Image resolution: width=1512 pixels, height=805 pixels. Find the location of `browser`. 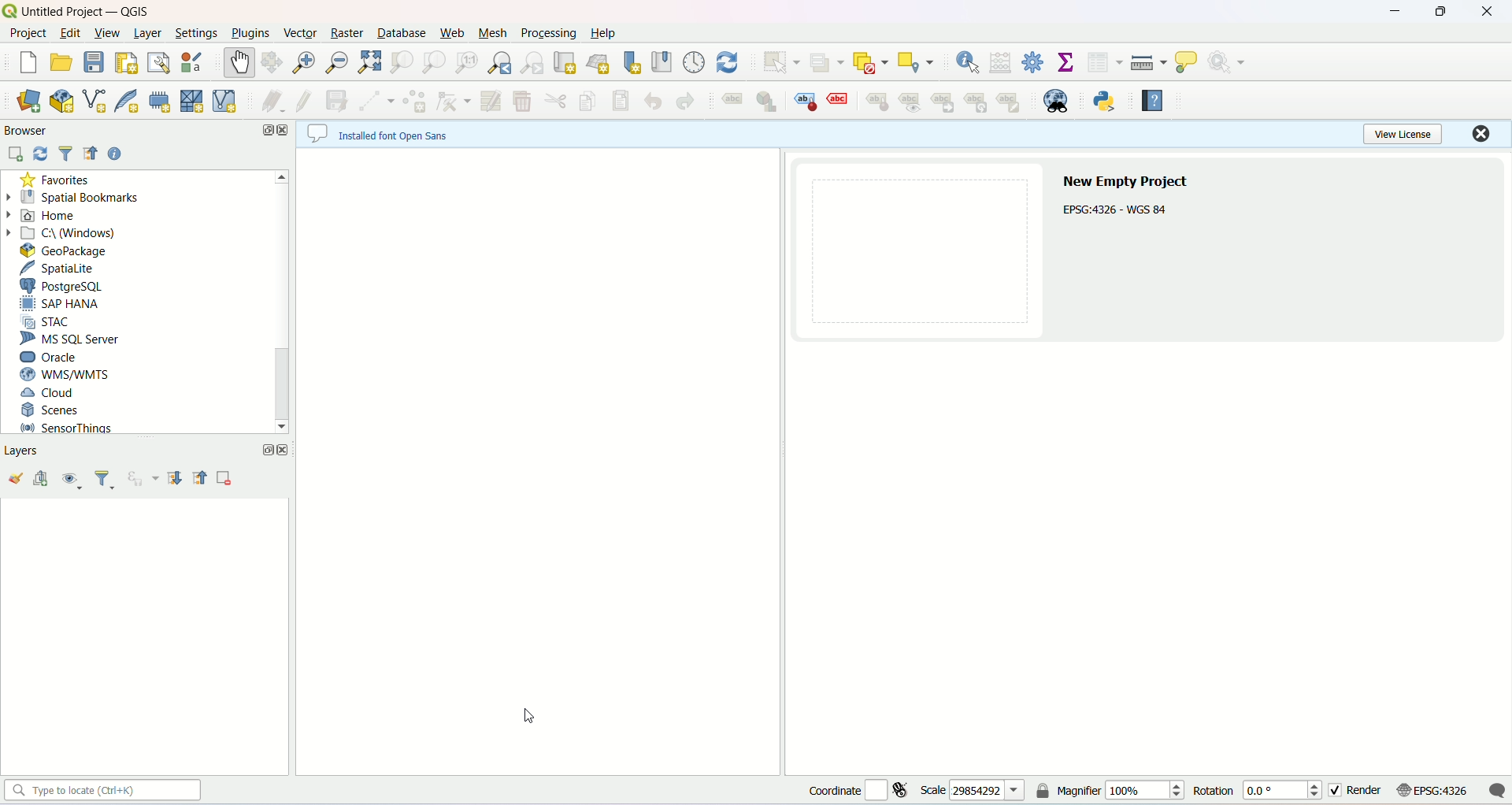

browser is located at coordinates (28, 131).